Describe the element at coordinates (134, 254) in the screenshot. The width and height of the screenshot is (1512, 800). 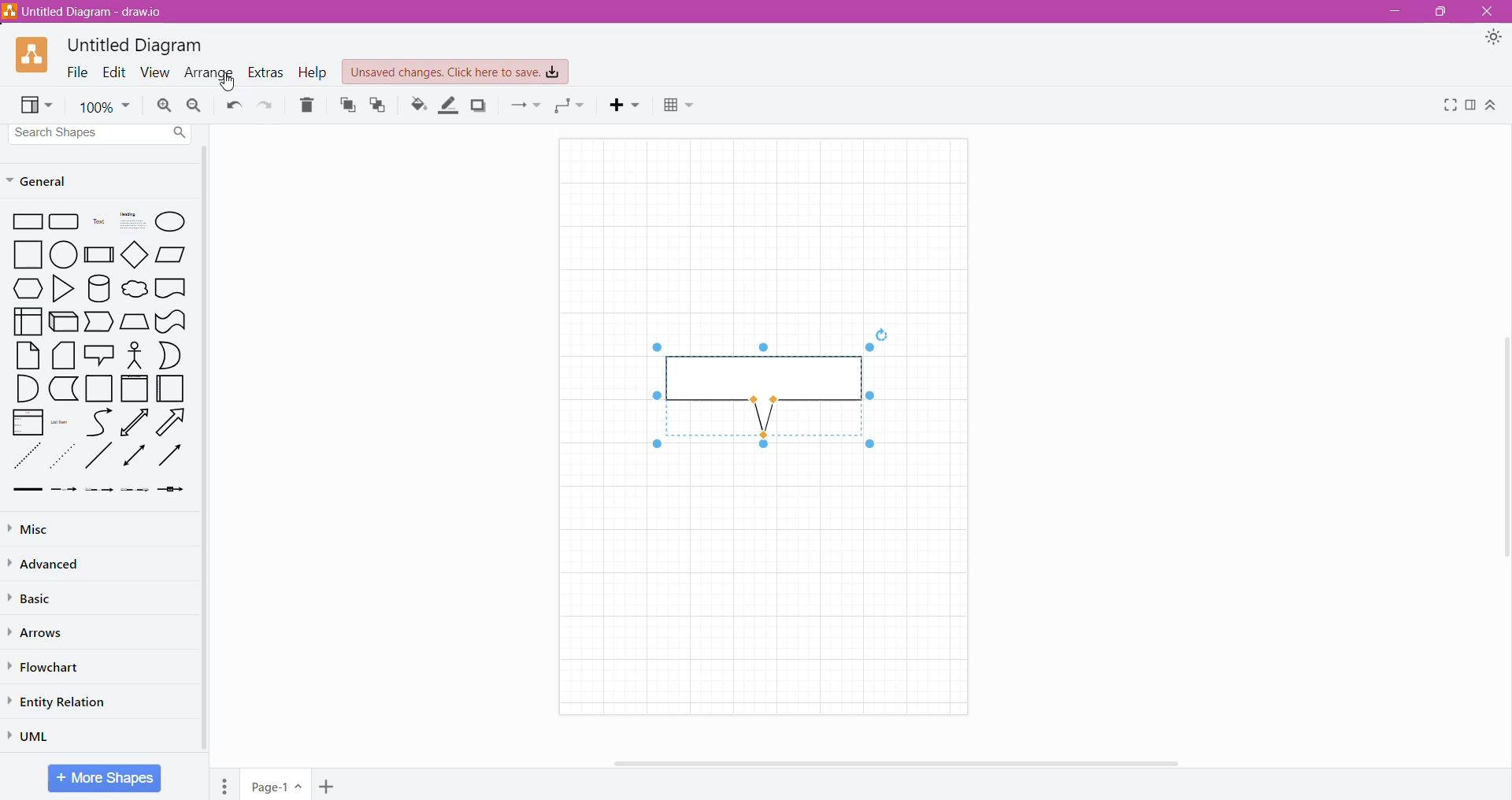
I see `diamond` at that location.